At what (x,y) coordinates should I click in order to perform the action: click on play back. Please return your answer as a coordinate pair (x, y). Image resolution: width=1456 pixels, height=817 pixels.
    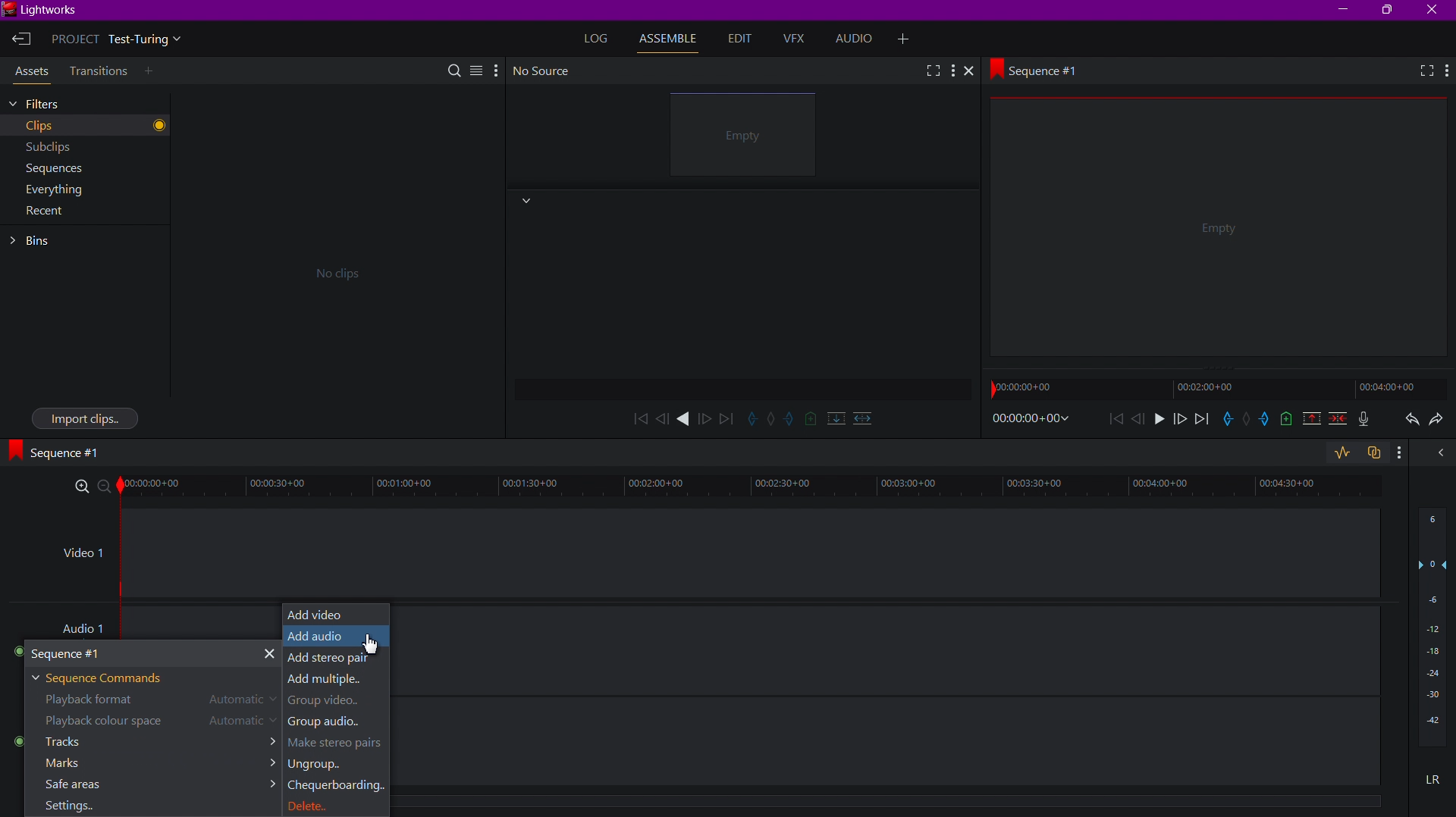
    Looking at the image, I should click on (639, 418).